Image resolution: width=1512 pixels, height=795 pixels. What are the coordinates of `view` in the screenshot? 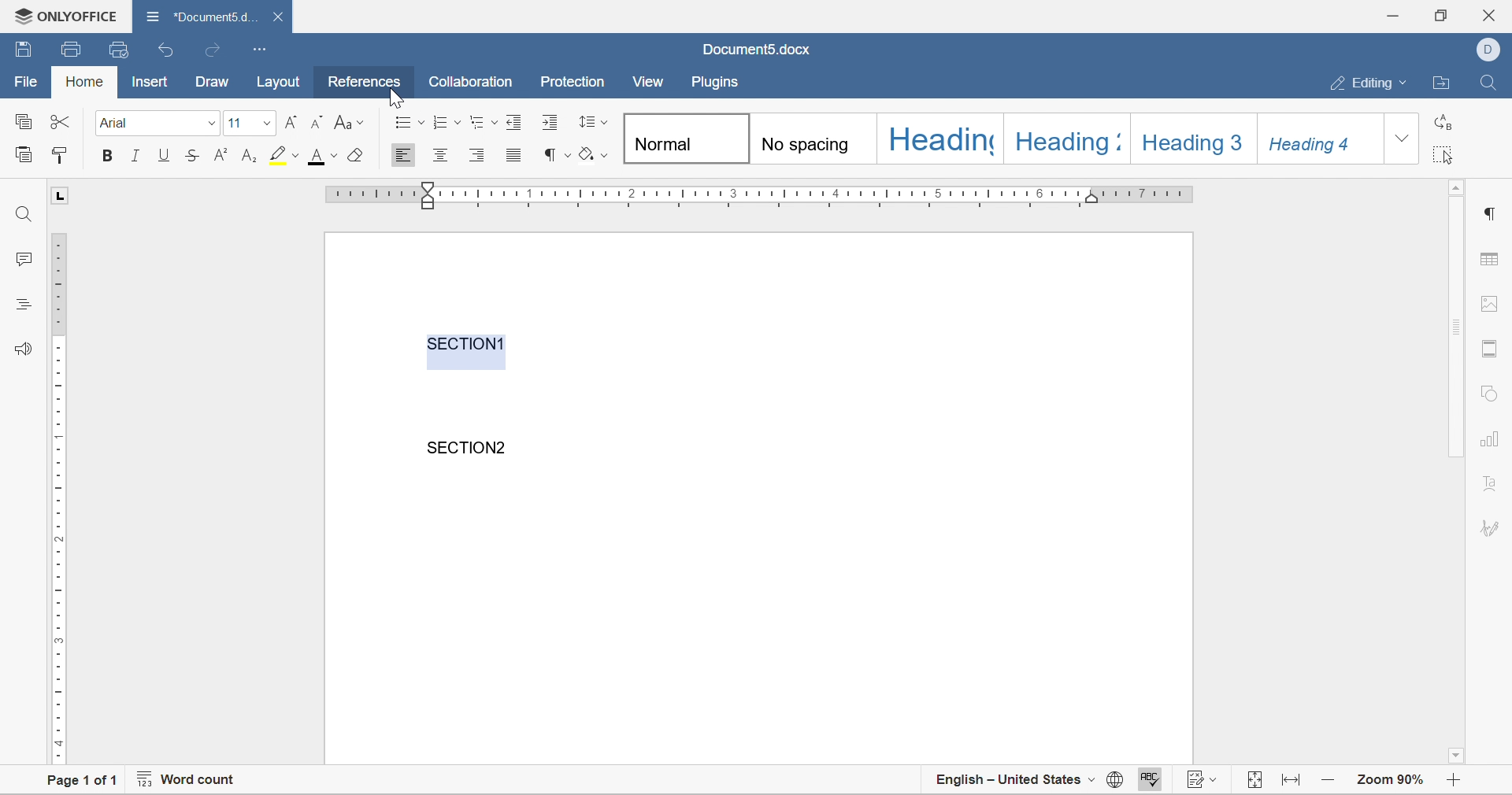 It's located at (649, 81).